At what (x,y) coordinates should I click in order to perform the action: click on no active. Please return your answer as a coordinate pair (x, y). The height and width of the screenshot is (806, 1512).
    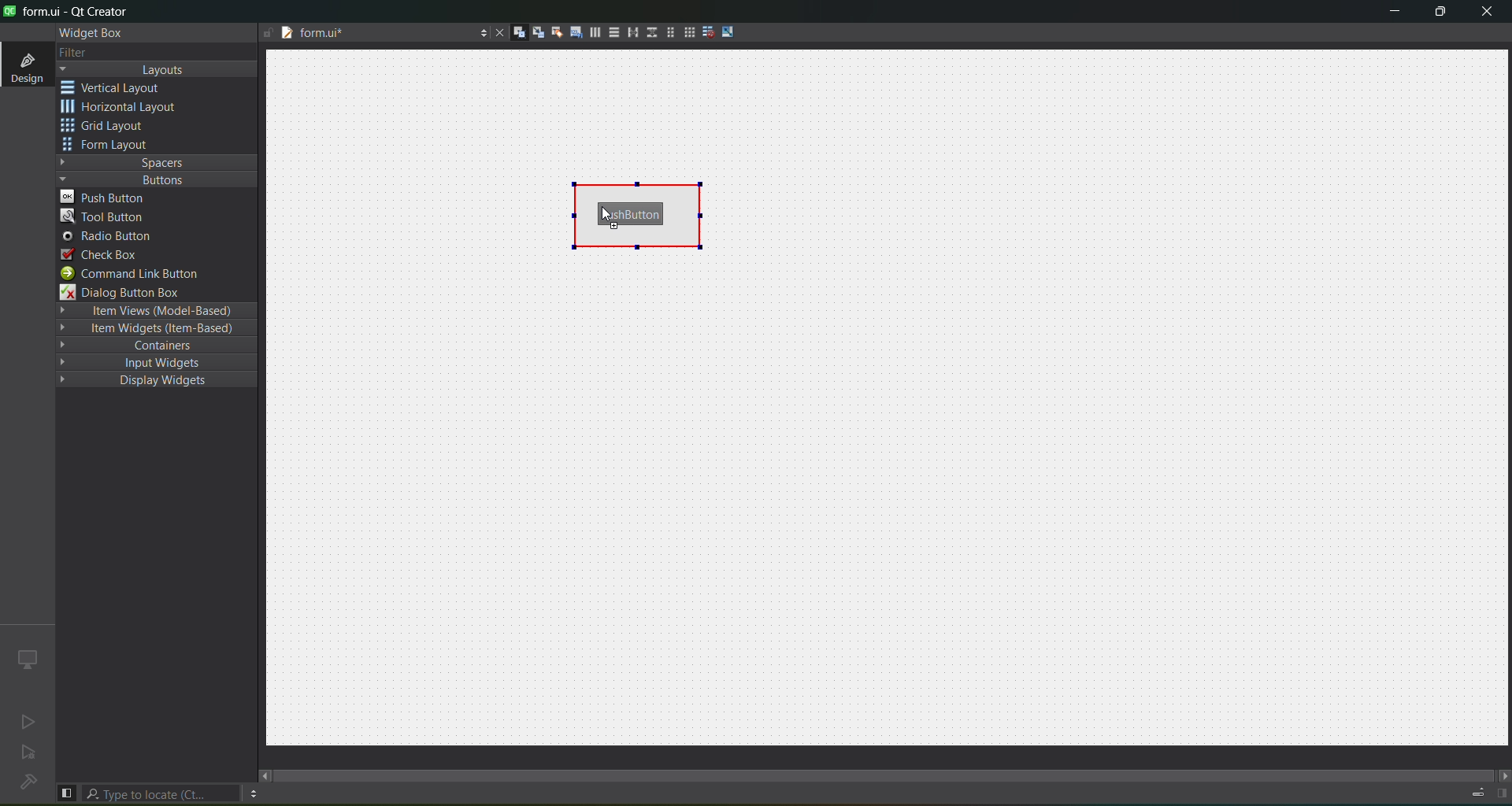
    Looking at the image, I should click on (24, 723).